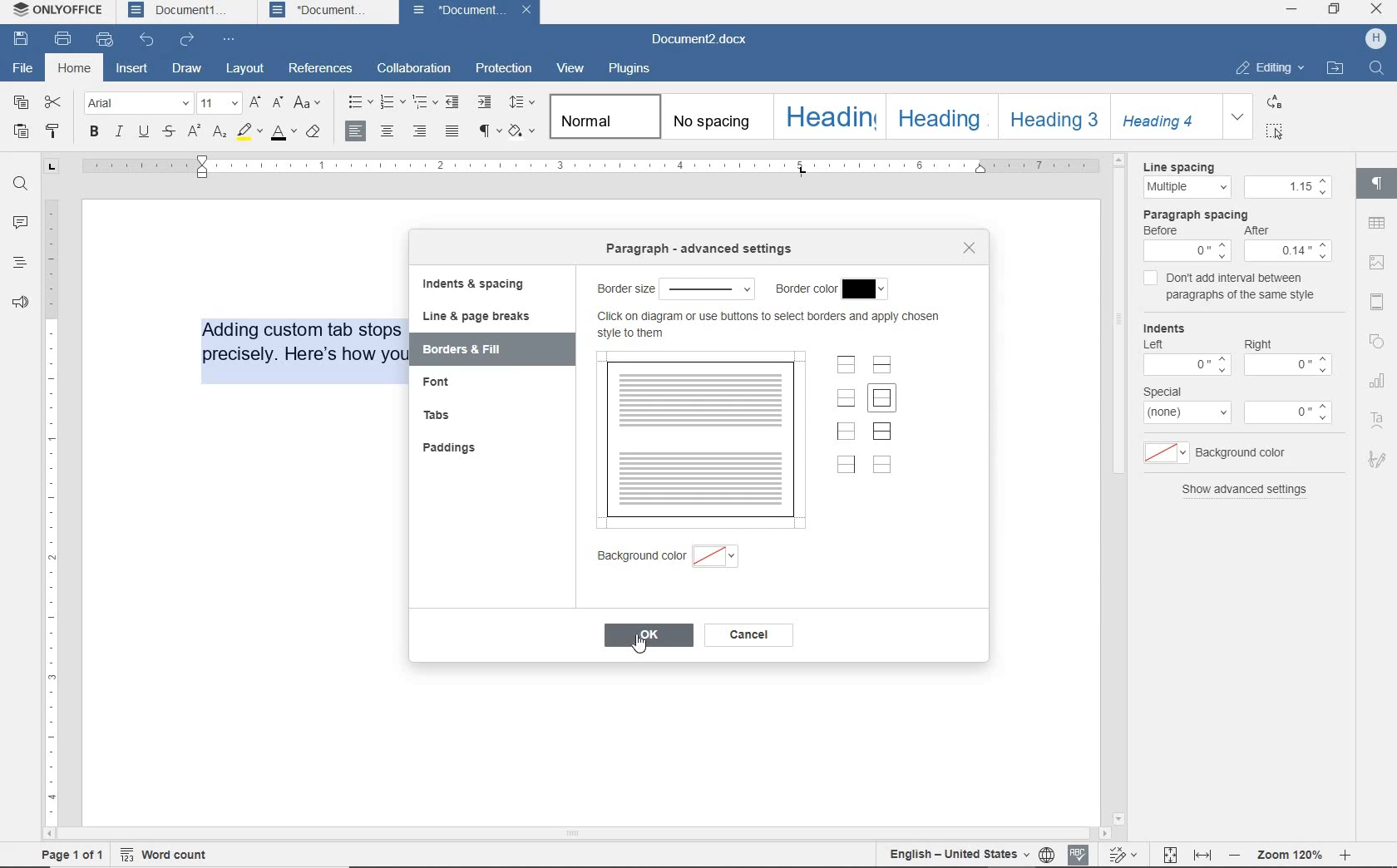  I want to click on justified, so click(450, 131).